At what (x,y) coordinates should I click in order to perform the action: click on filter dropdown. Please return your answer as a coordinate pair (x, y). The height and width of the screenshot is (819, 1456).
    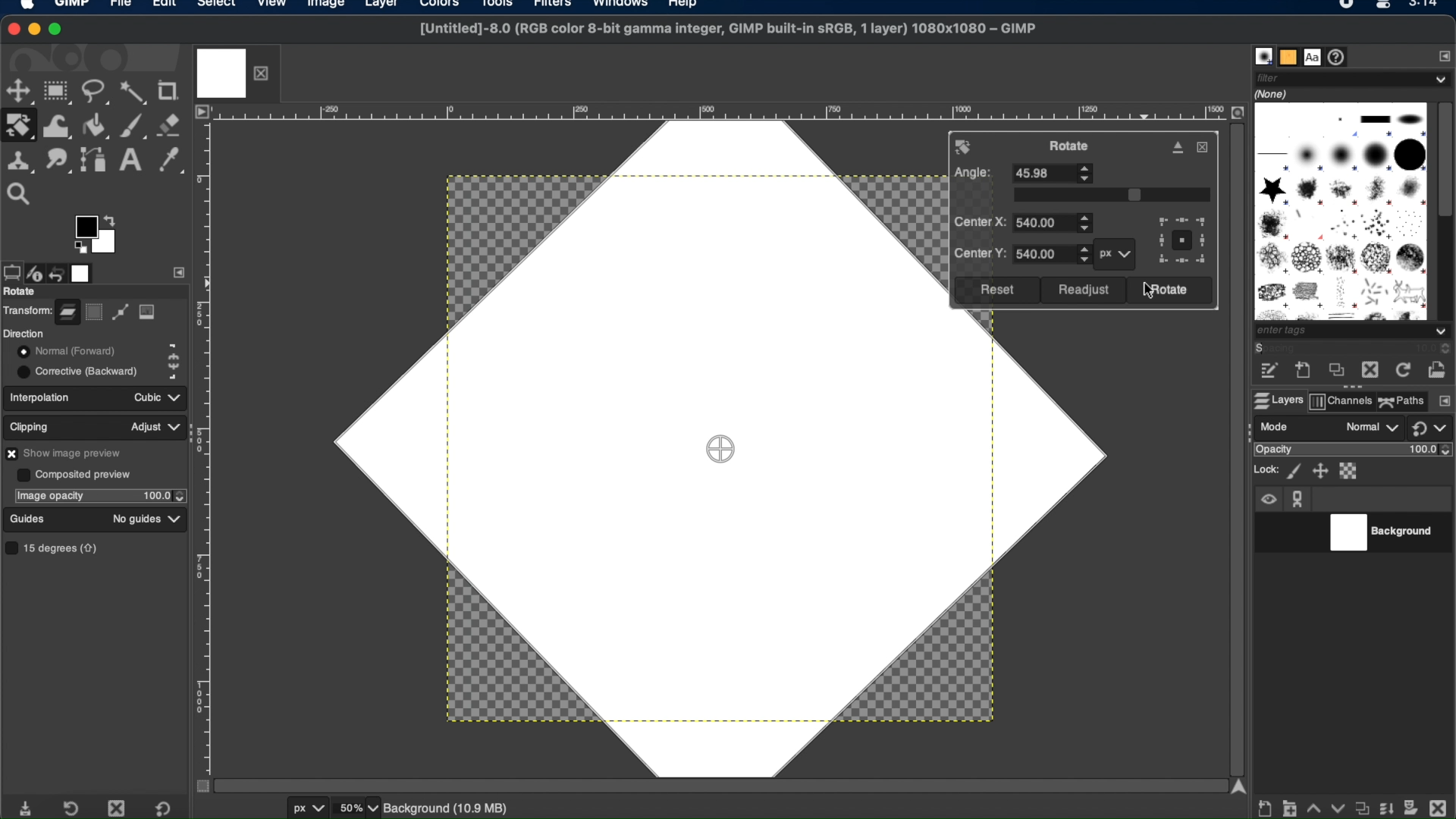
    Looking at the image, I should click on (1353, 78).